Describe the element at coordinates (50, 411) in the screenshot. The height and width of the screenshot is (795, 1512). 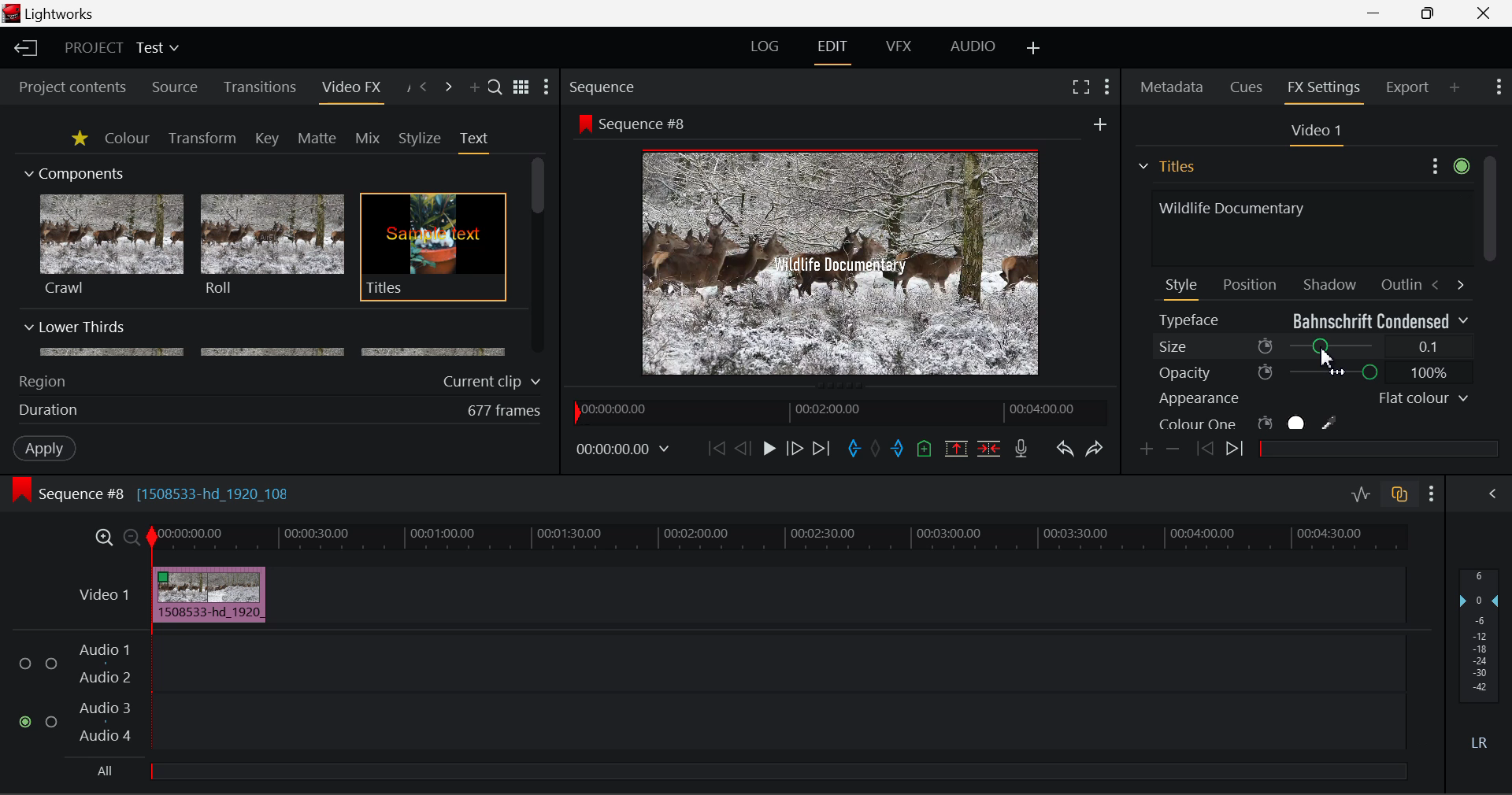
I see `Duration` at that location.